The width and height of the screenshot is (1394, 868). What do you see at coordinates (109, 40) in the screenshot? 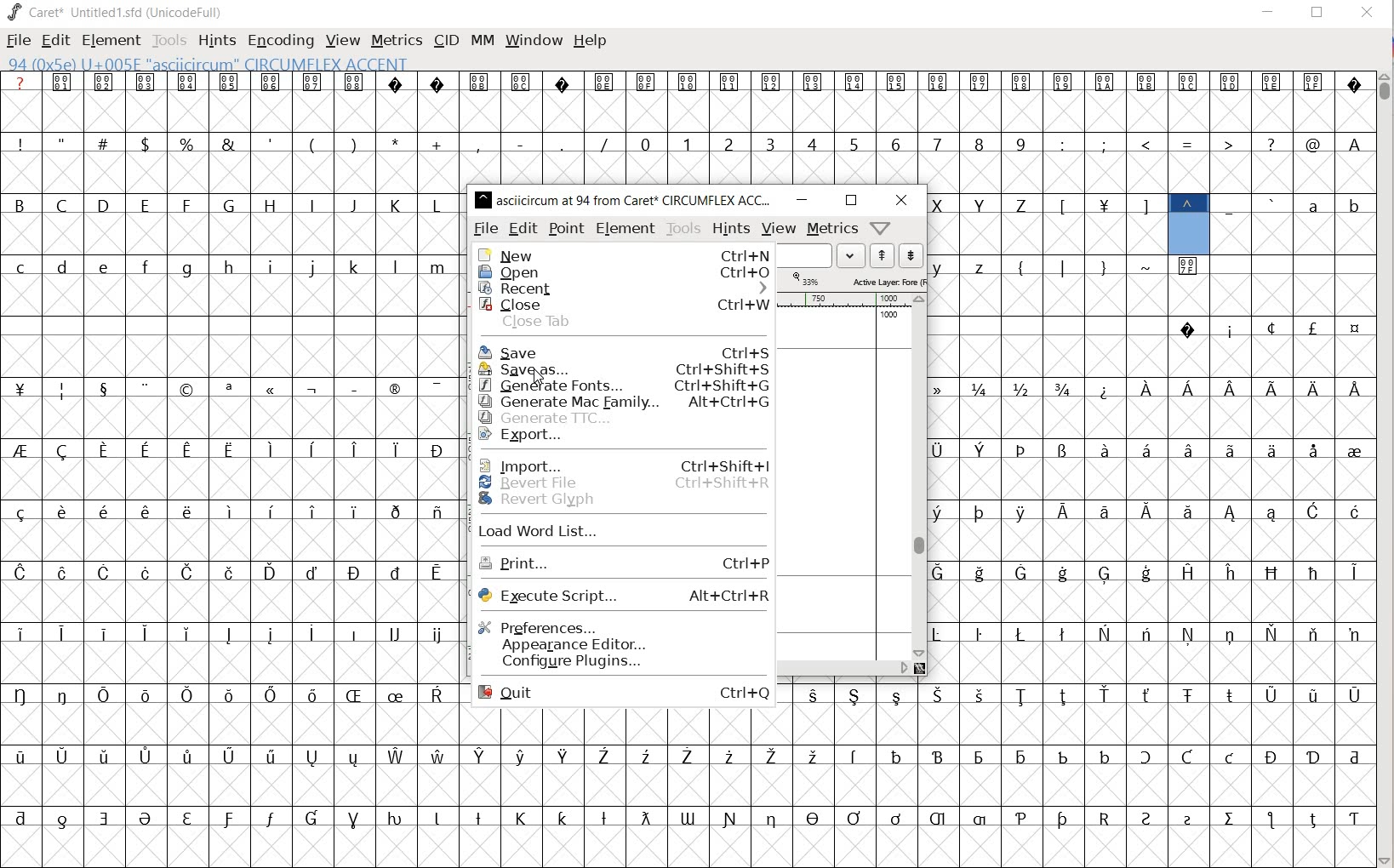
I see `ELEMENT` at bounding box center [109, 40].